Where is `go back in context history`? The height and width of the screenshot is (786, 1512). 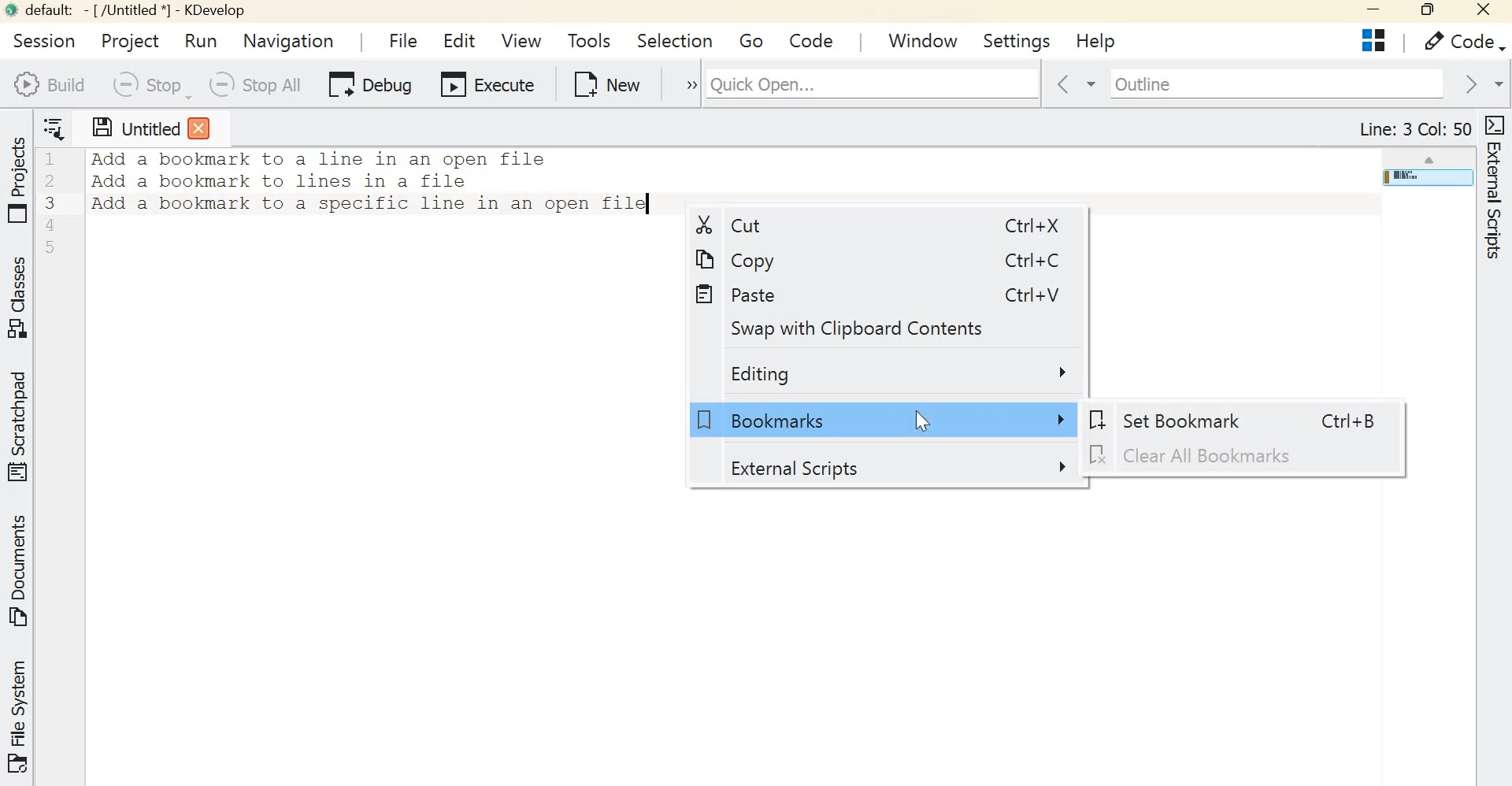 go back in context history is located at coordinates (1073, 84).